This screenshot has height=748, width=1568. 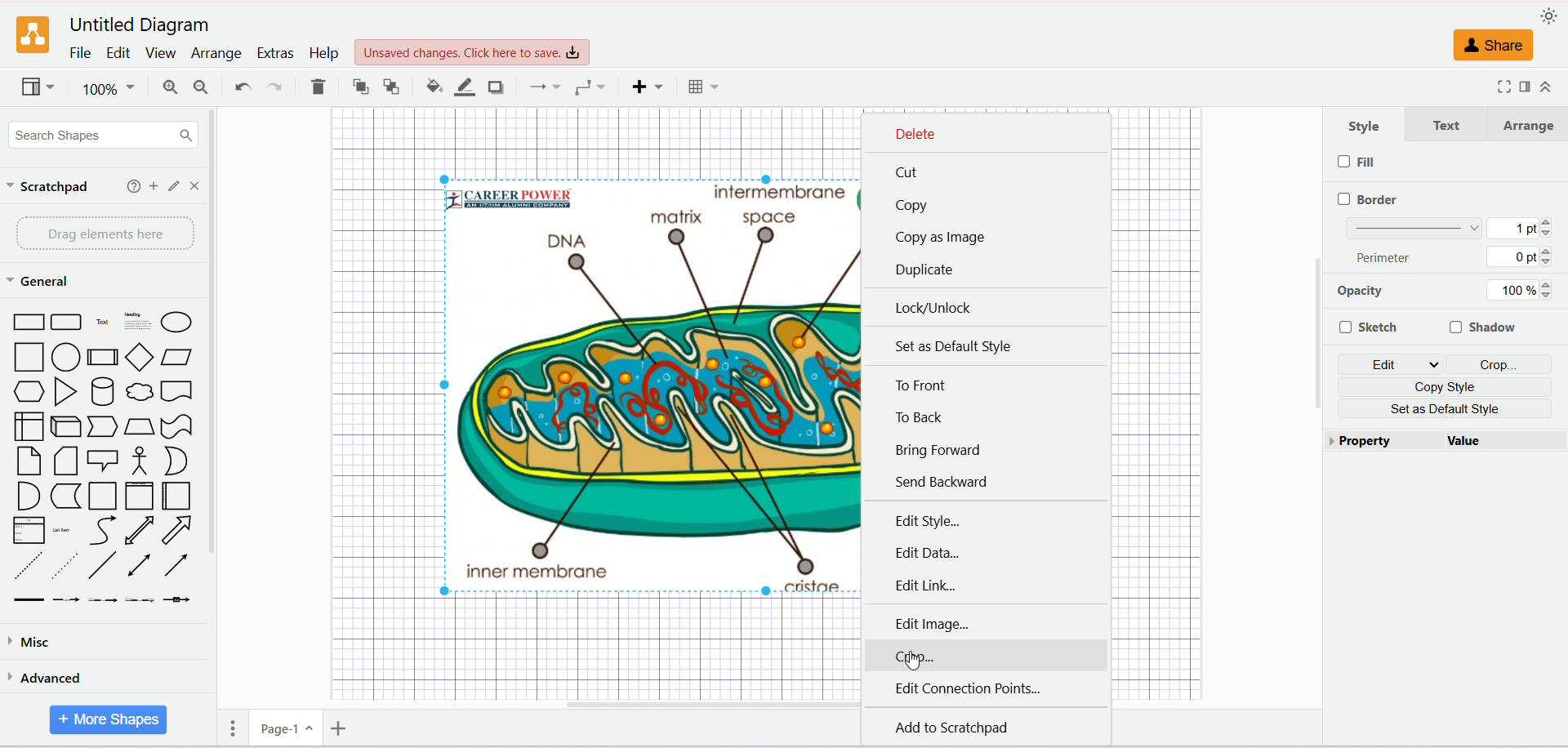 What do you see at coordinates (945, 452) in the screenshot?
I see `bring forward` at bounding box center [945, 452].